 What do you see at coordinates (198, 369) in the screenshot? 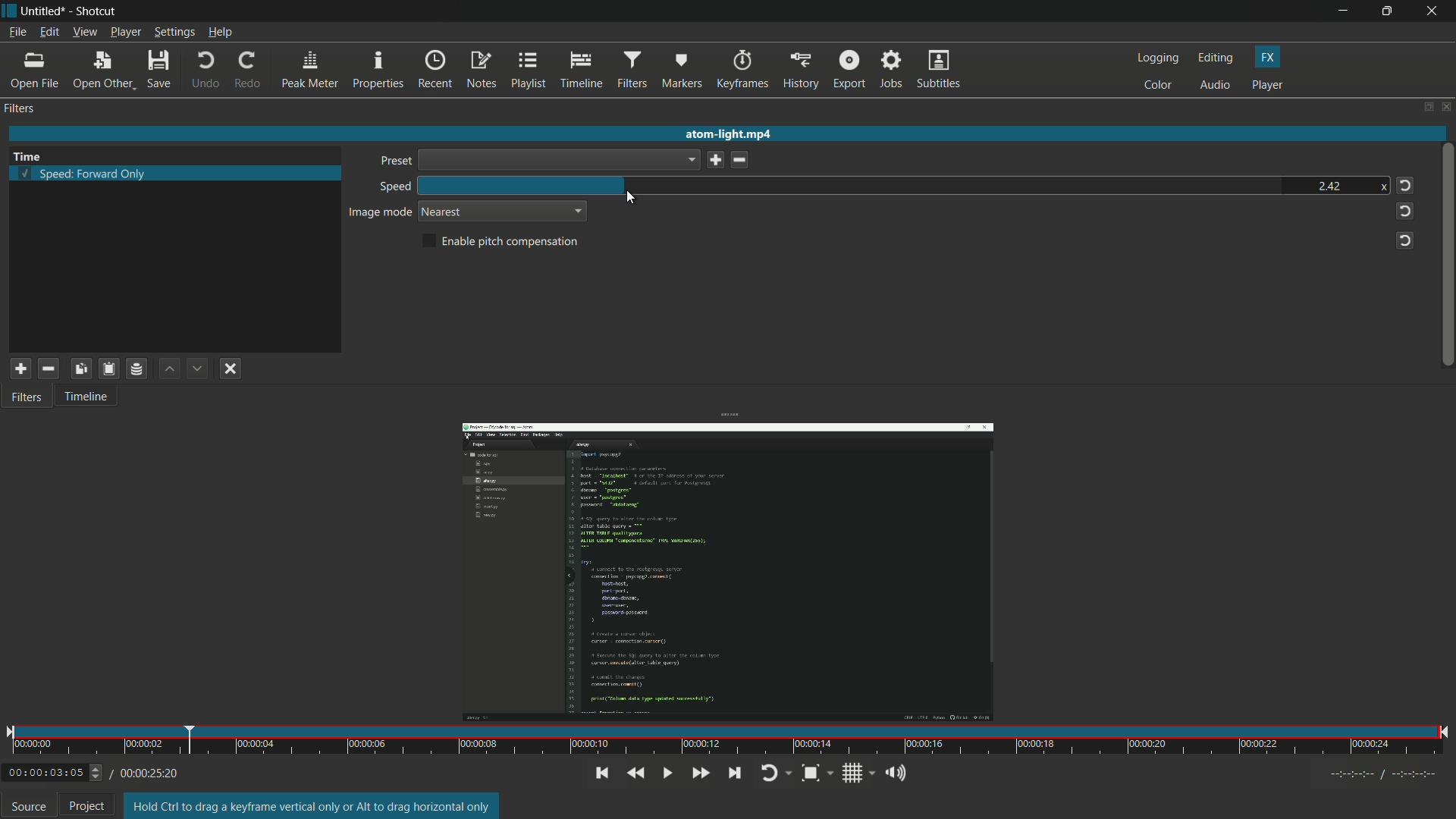
I see `move filter down` at bounding box center [198, 369].